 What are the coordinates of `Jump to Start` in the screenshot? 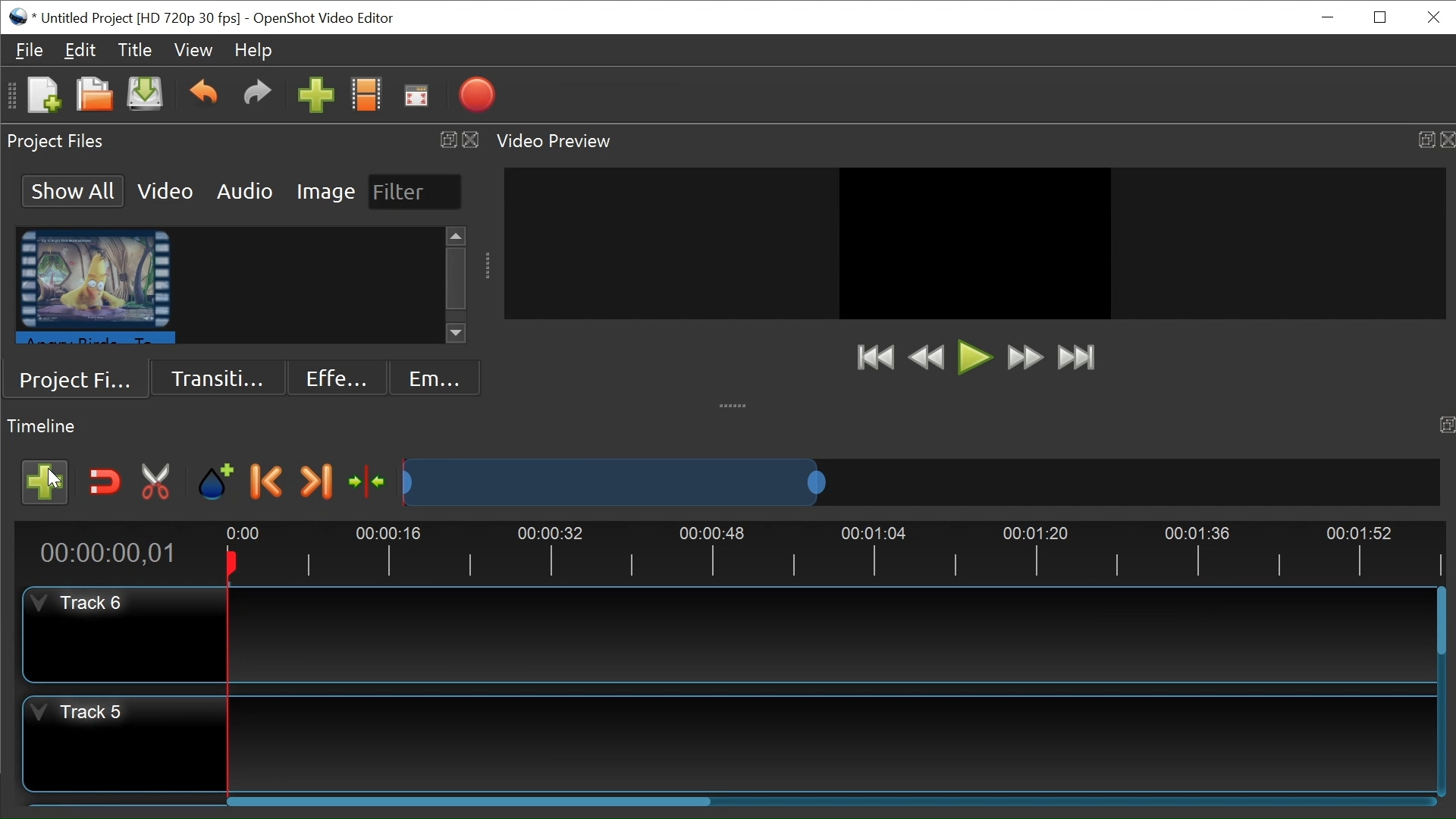 It's located at (874, 356).